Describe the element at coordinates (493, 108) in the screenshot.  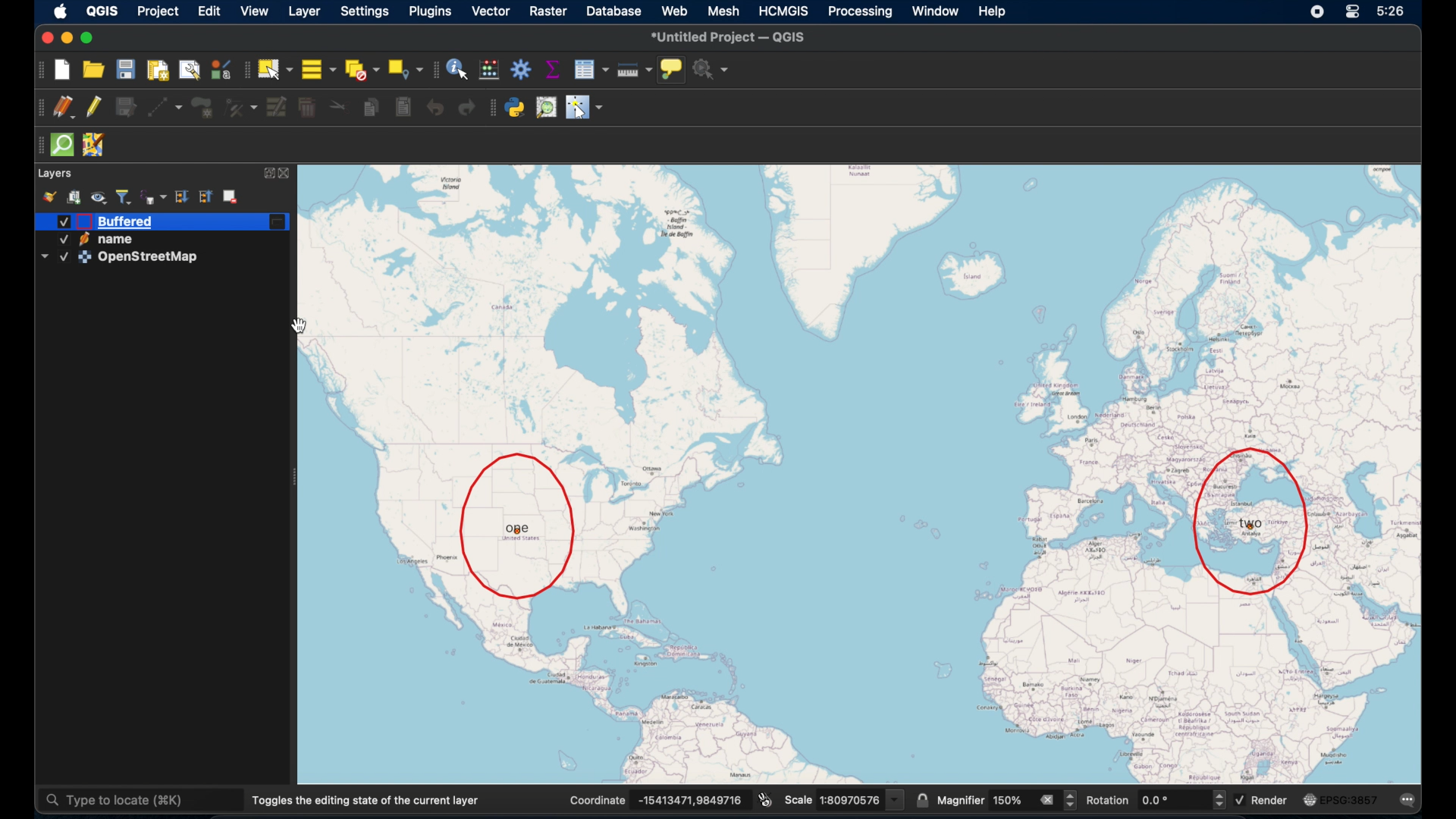
I see `drag handle` at that location.